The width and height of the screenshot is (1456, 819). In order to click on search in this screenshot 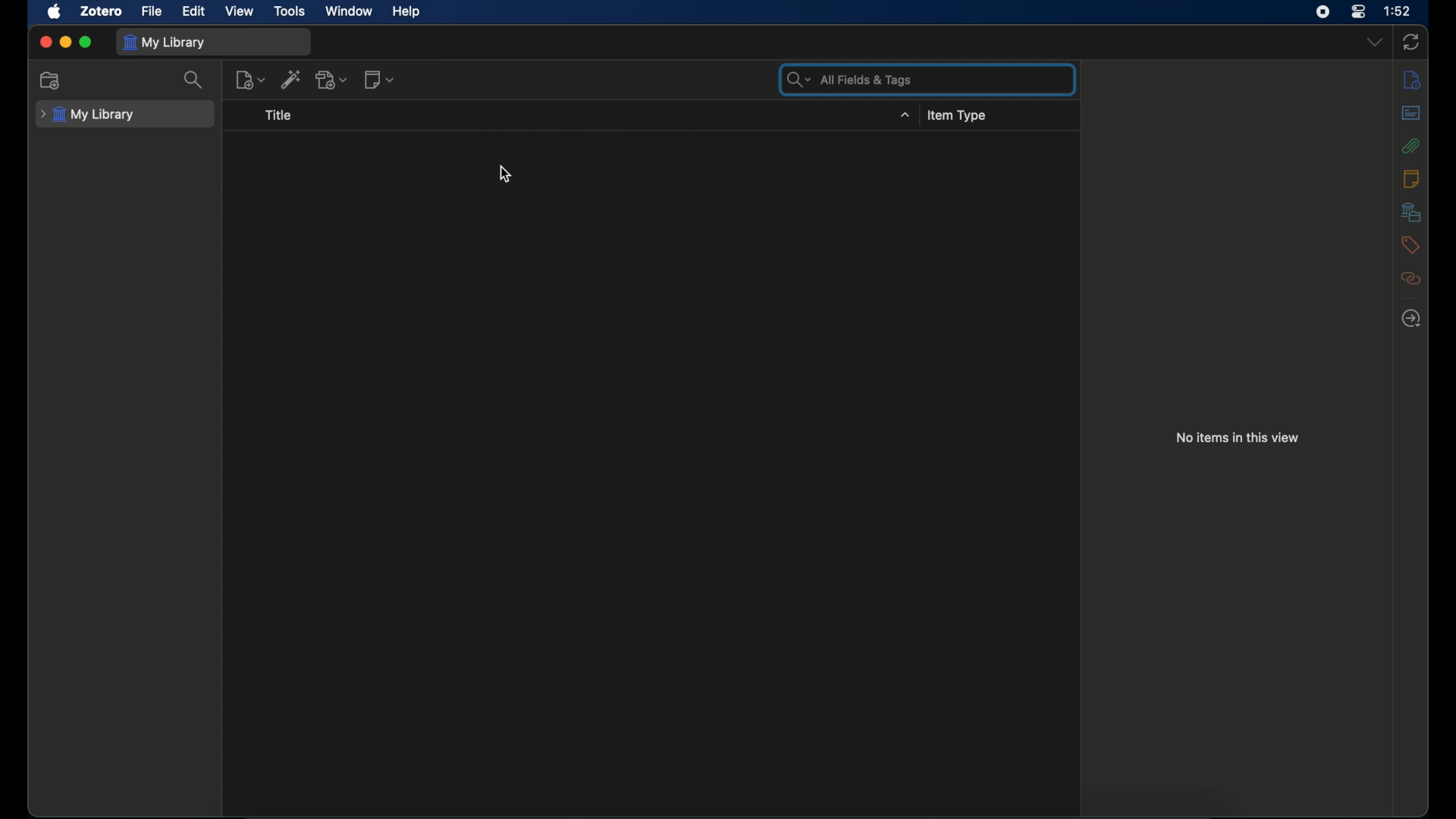, I will do `click(193, 80)`.